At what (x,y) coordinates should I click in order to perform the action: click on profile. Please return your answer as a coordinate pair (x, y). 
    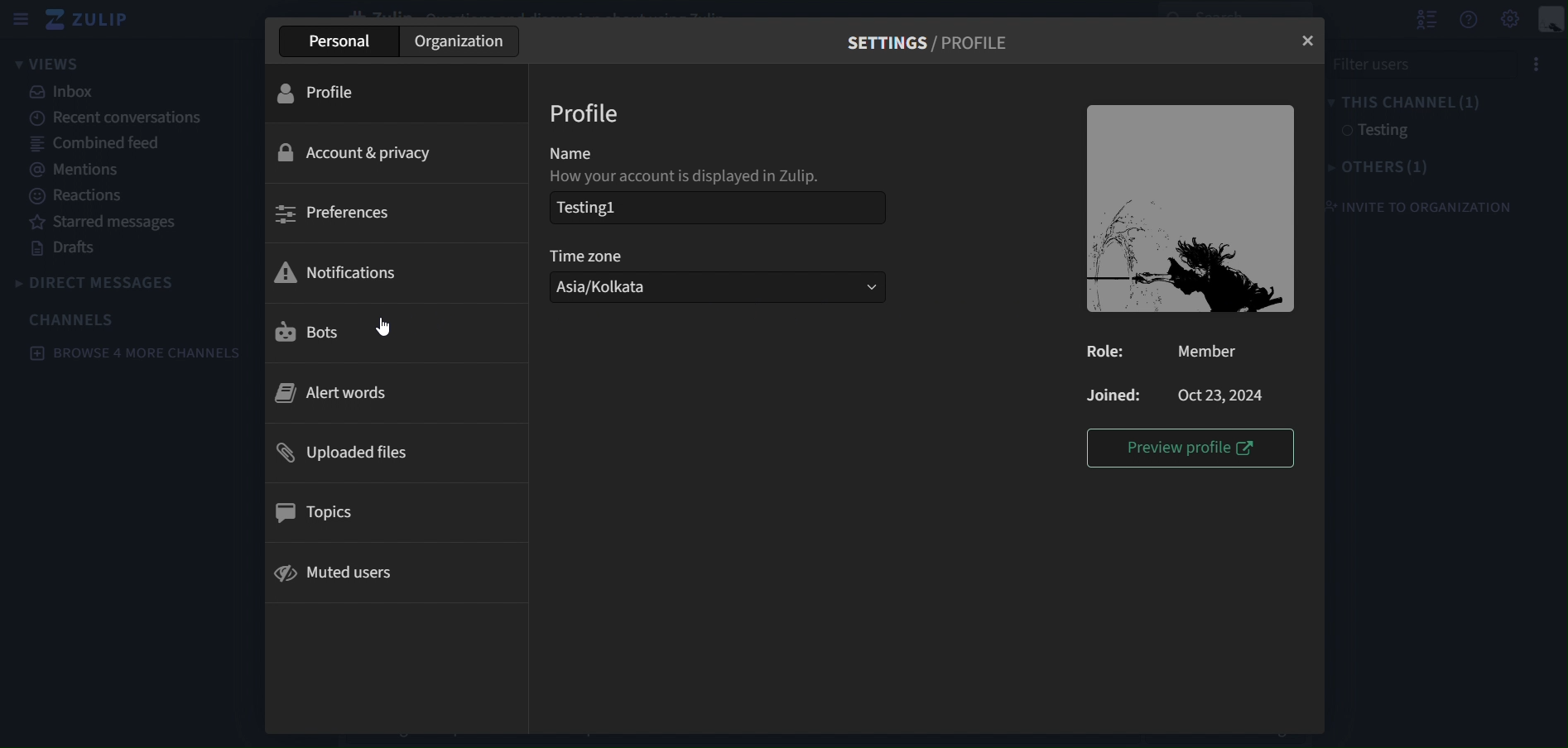
    Looking at the image, I should click on (331, 93).